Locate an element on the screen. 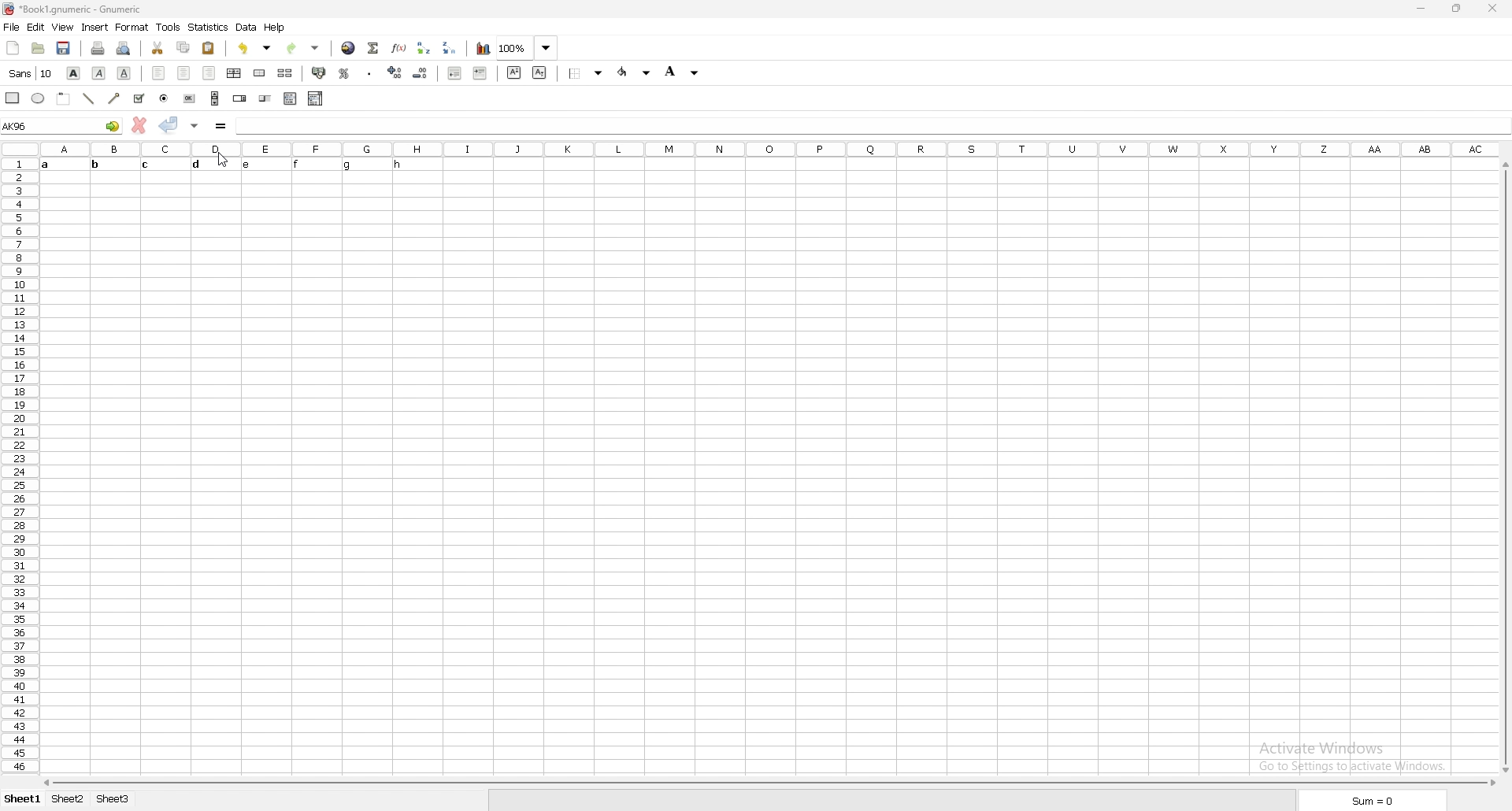  decrease decimal is located at coordinates (421, 73).